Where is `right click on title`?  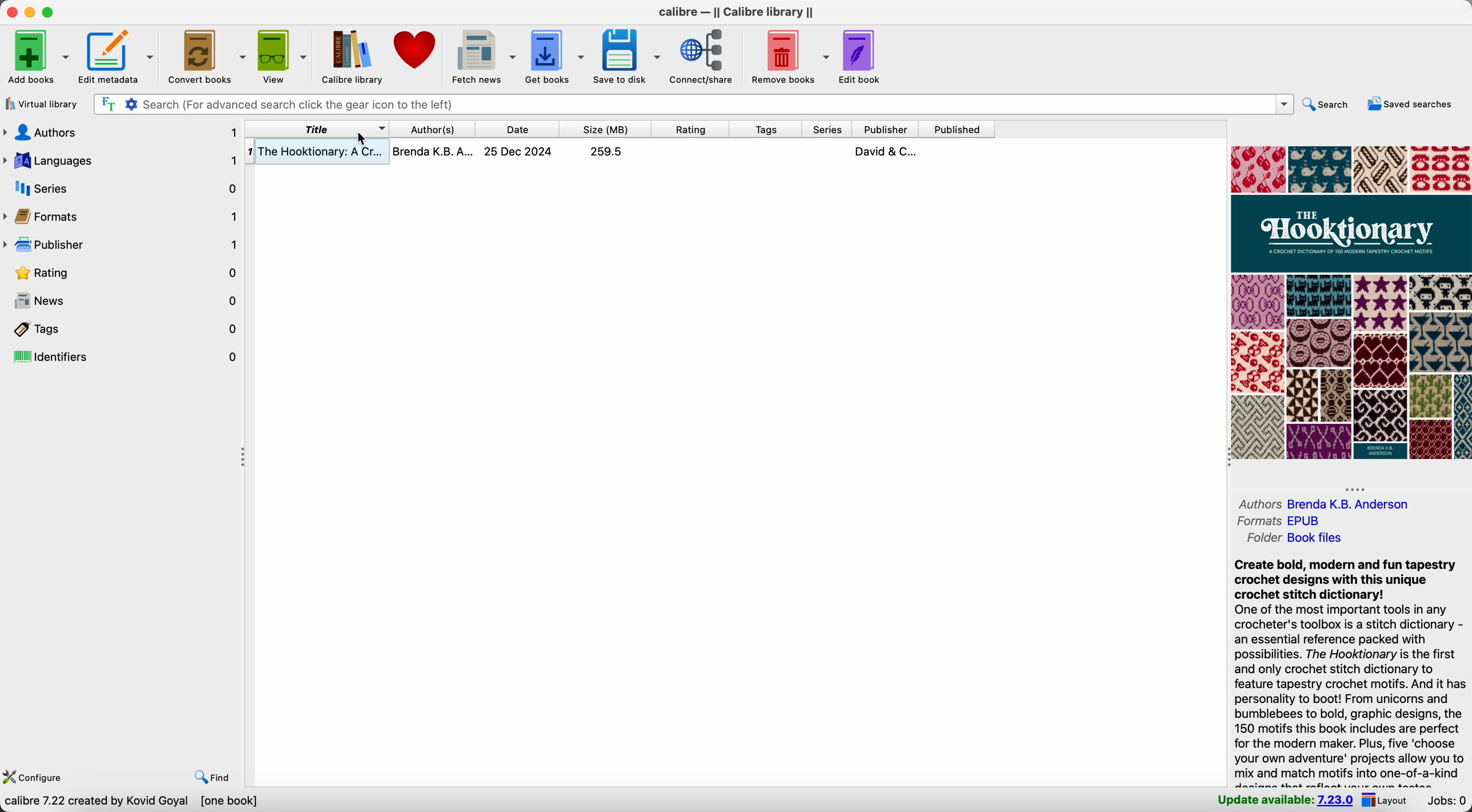 right click on title is located at coordinates (315, 130).